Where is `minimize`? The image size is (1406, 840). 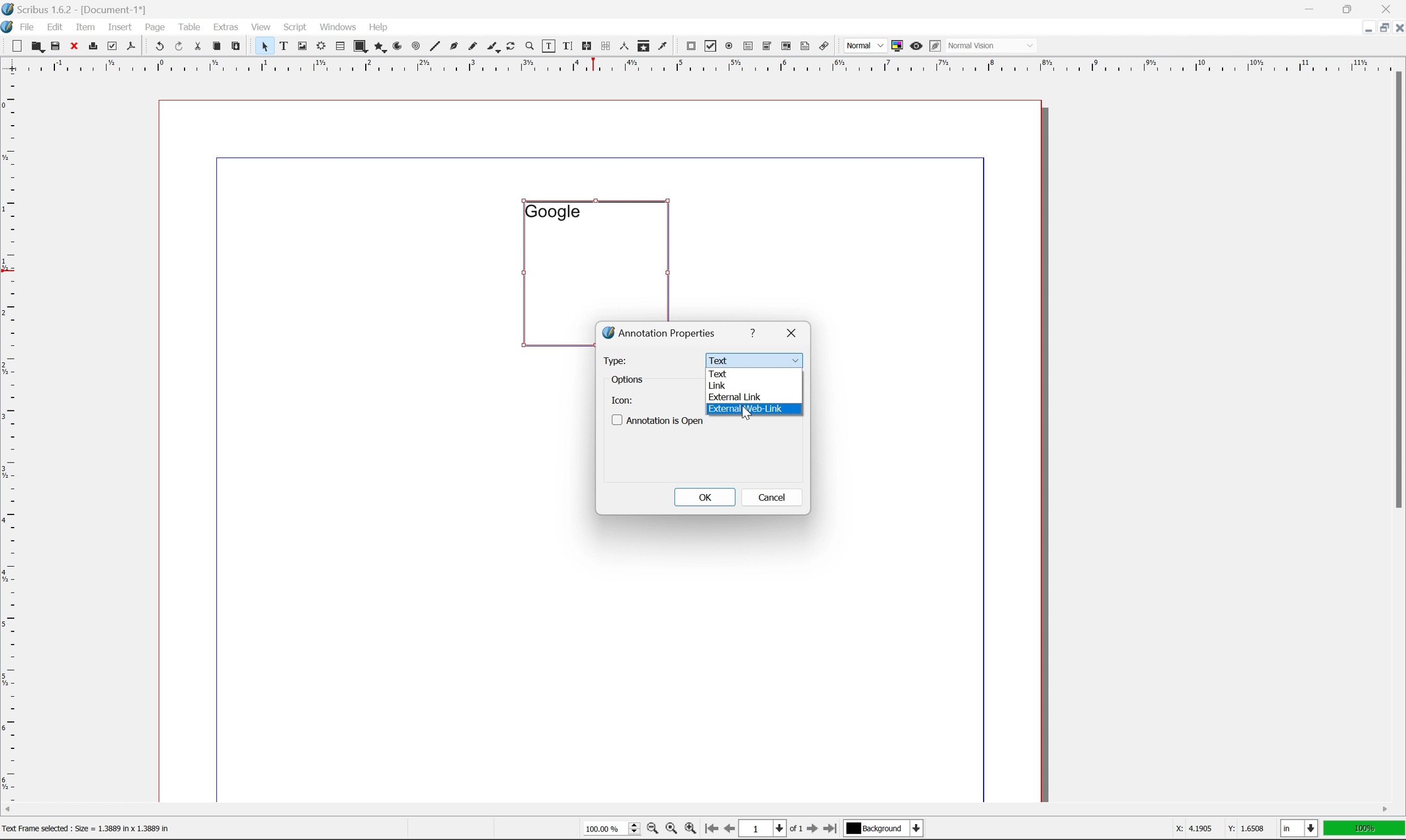
minimize is located at coordinates (1361, 27).